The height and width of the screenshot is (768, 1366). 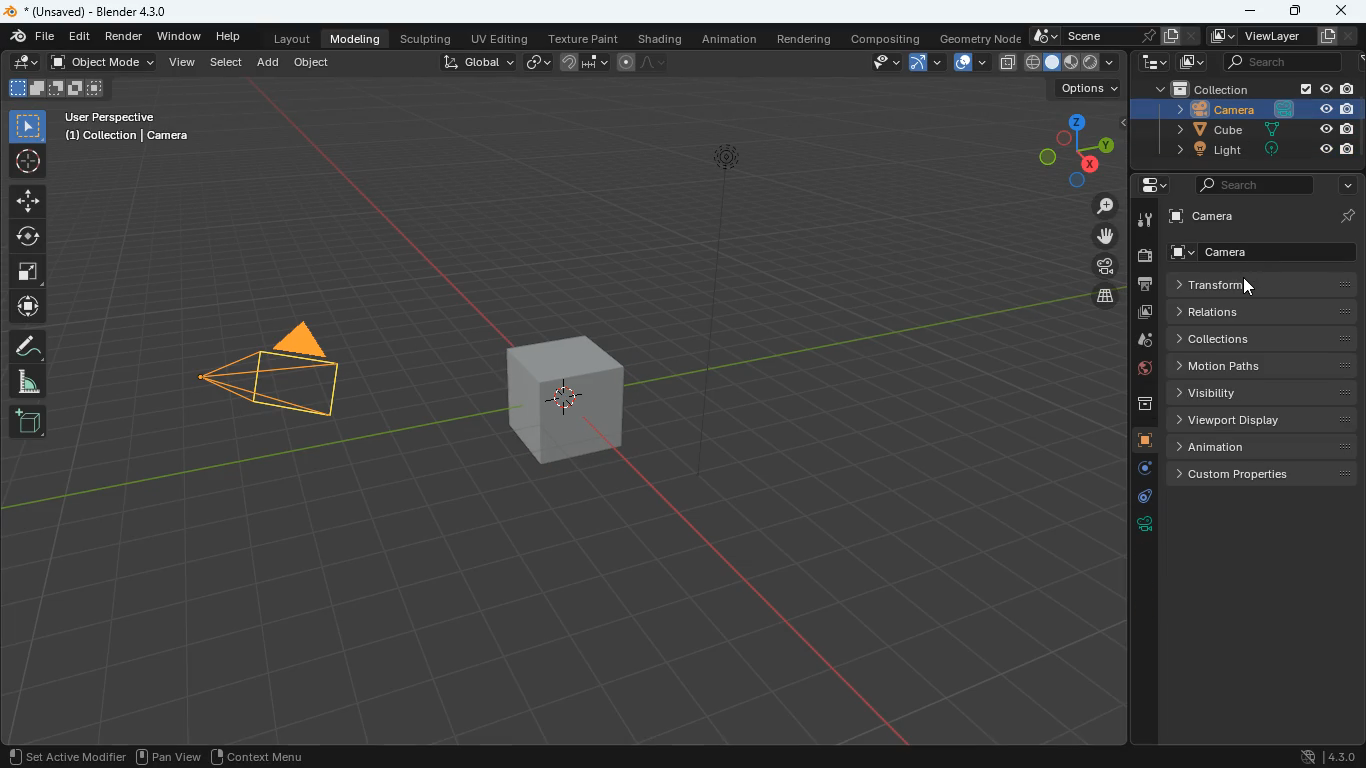 I want to click on rotation, so click(x=27, y=235).